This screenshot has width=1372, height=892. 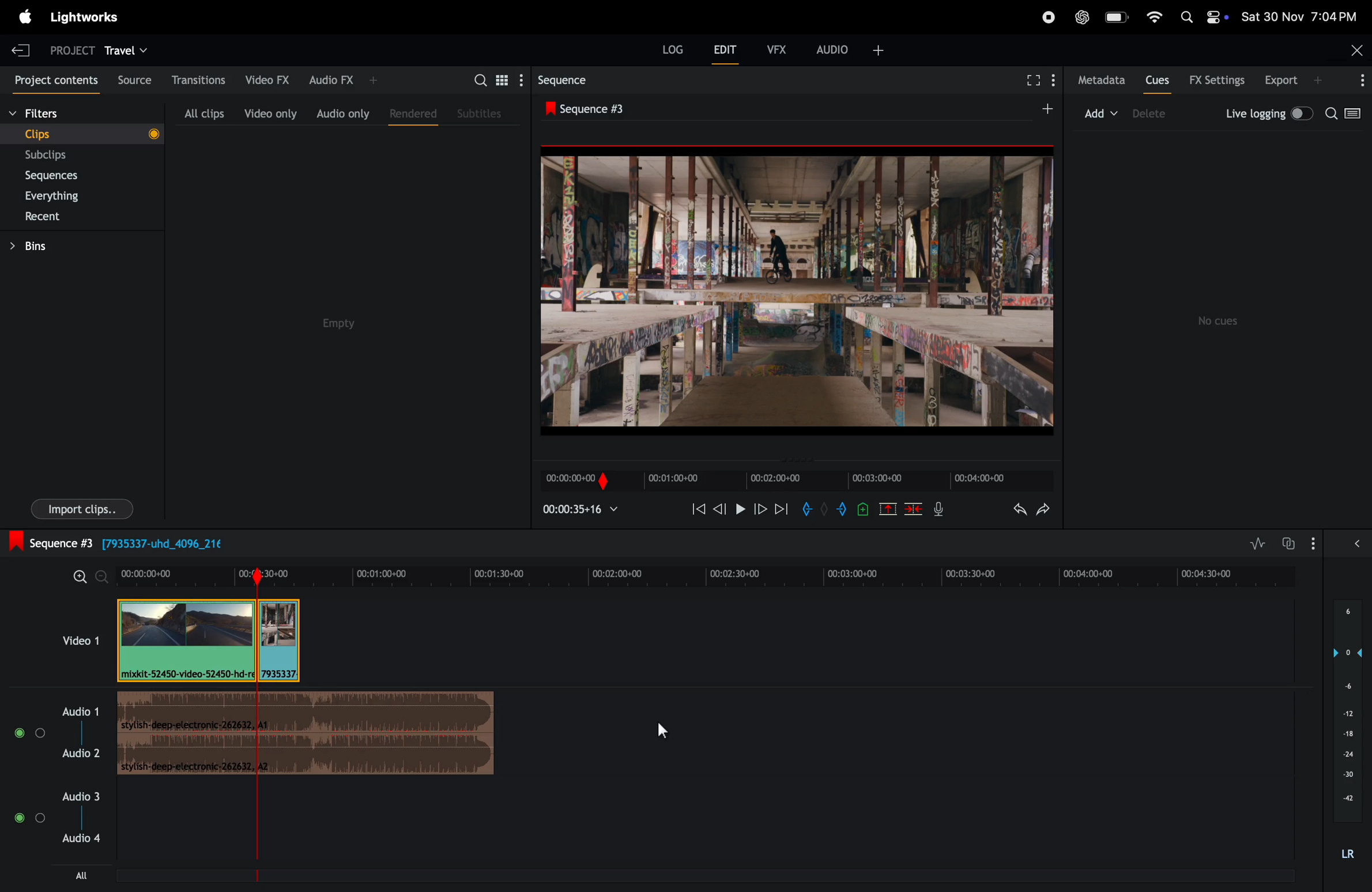 What do you see at coordinates (728, 51) in the screenshot?
I see `edit` at bounding box center [728, 51].